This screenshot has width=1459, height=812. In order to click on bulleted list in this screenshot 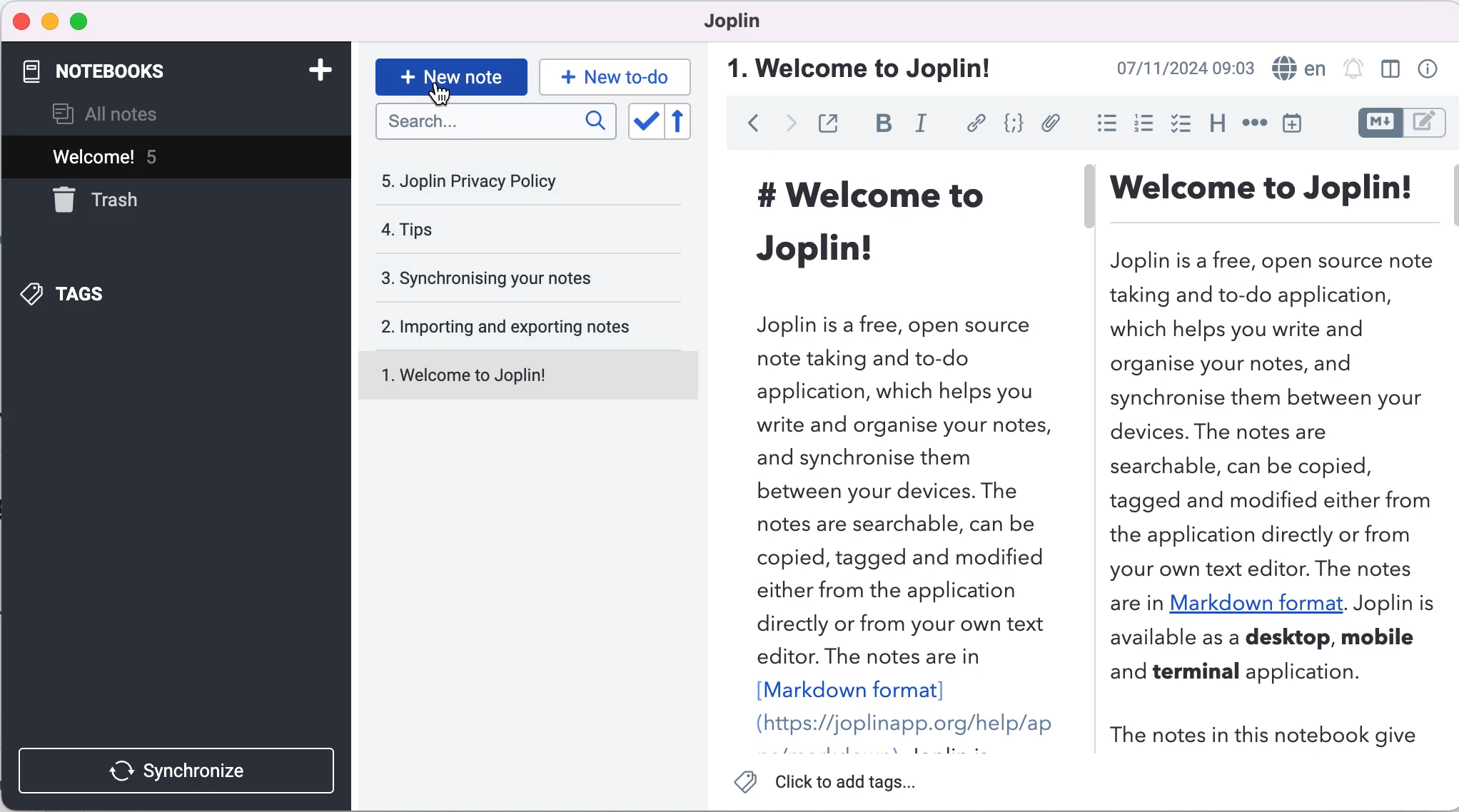, I will do `click(1100, 126)`.